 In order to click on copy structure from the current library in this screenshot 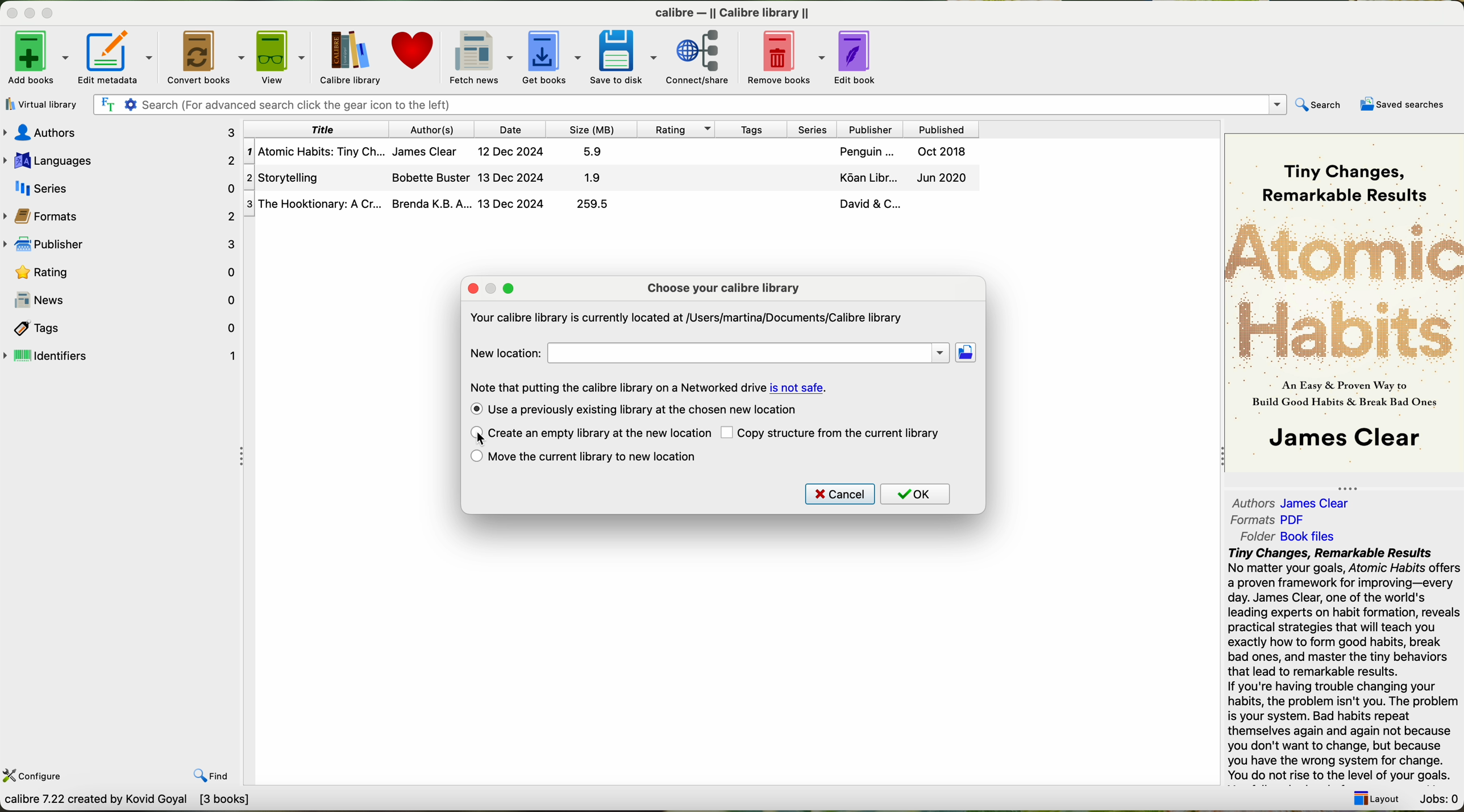, I will do `click(833, 432)`.